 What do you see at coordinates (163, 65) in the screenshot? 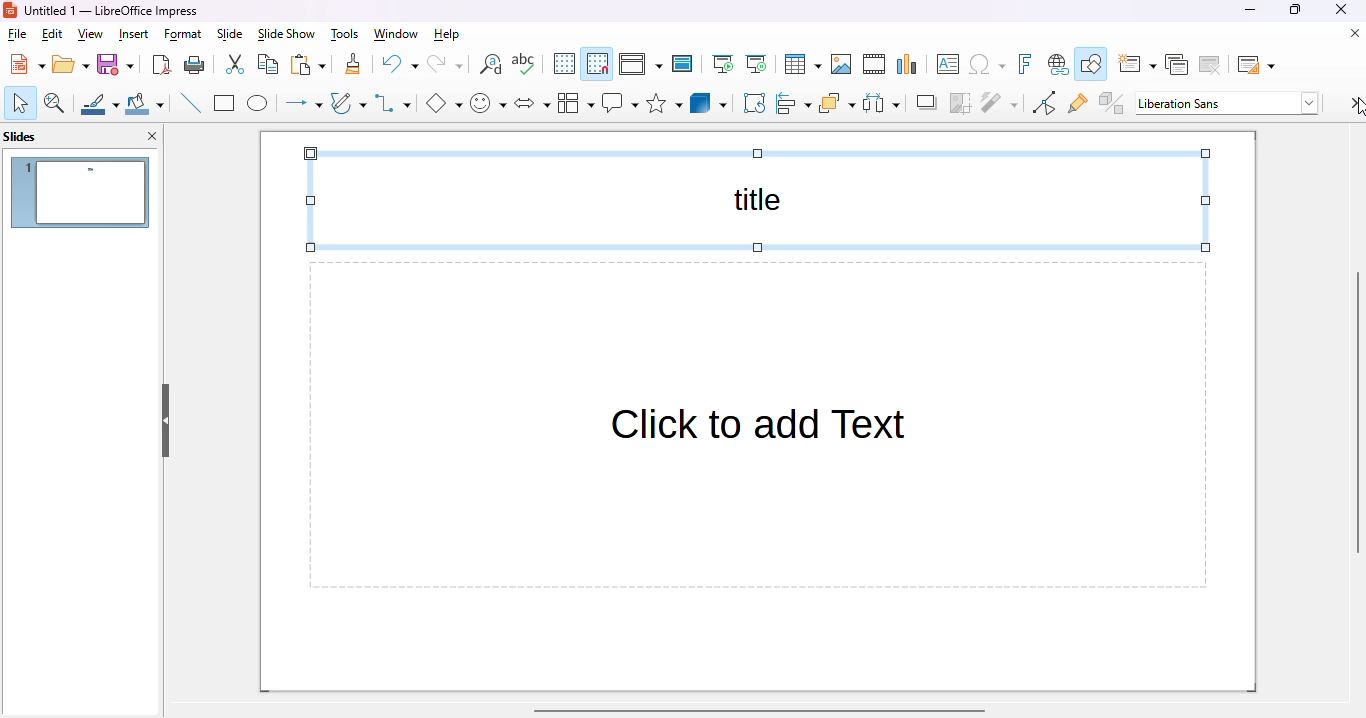
I see `export directly as PDF` at bounding box center [163, 65].